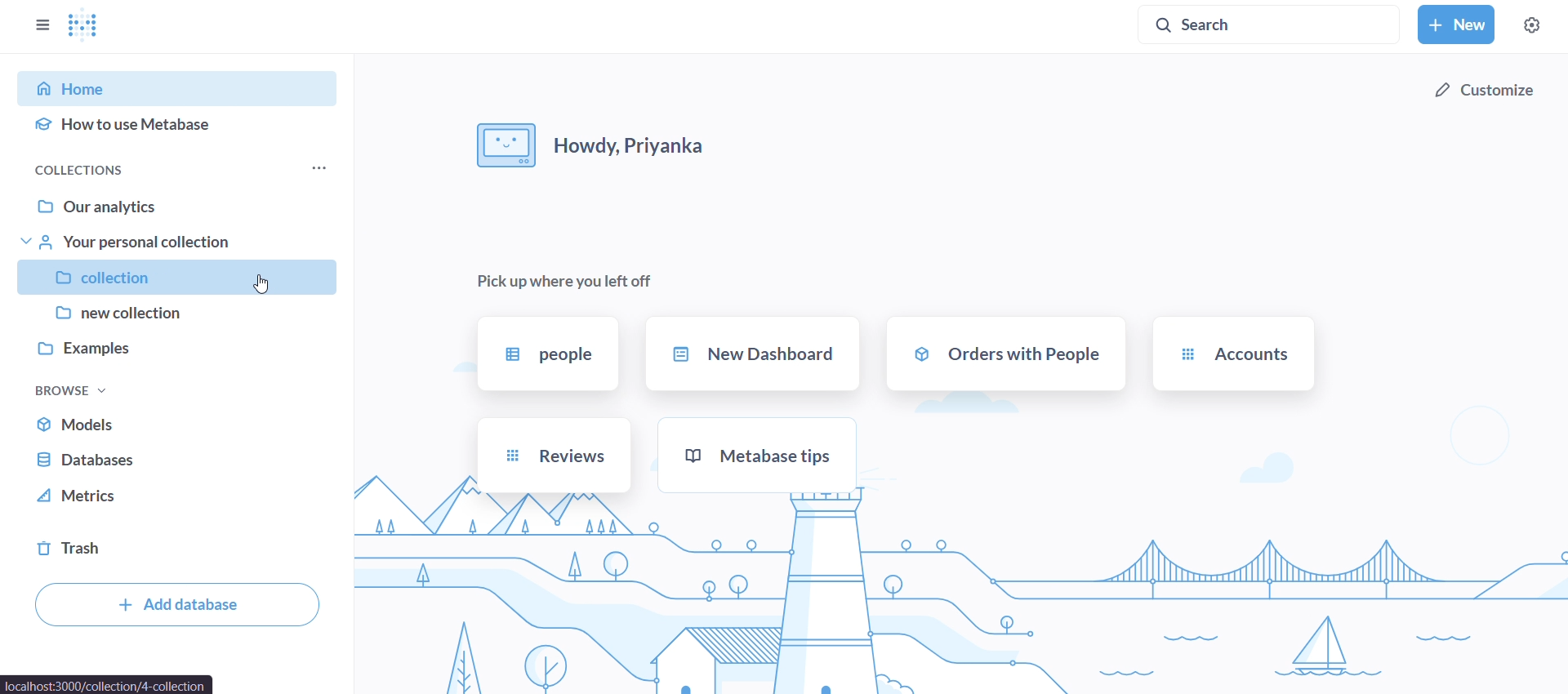 The image size is (1568, 694). What do you see at coordinates (756, 456) in the screenshot?
I see `metabase tips` at bounding box center [756, 456].